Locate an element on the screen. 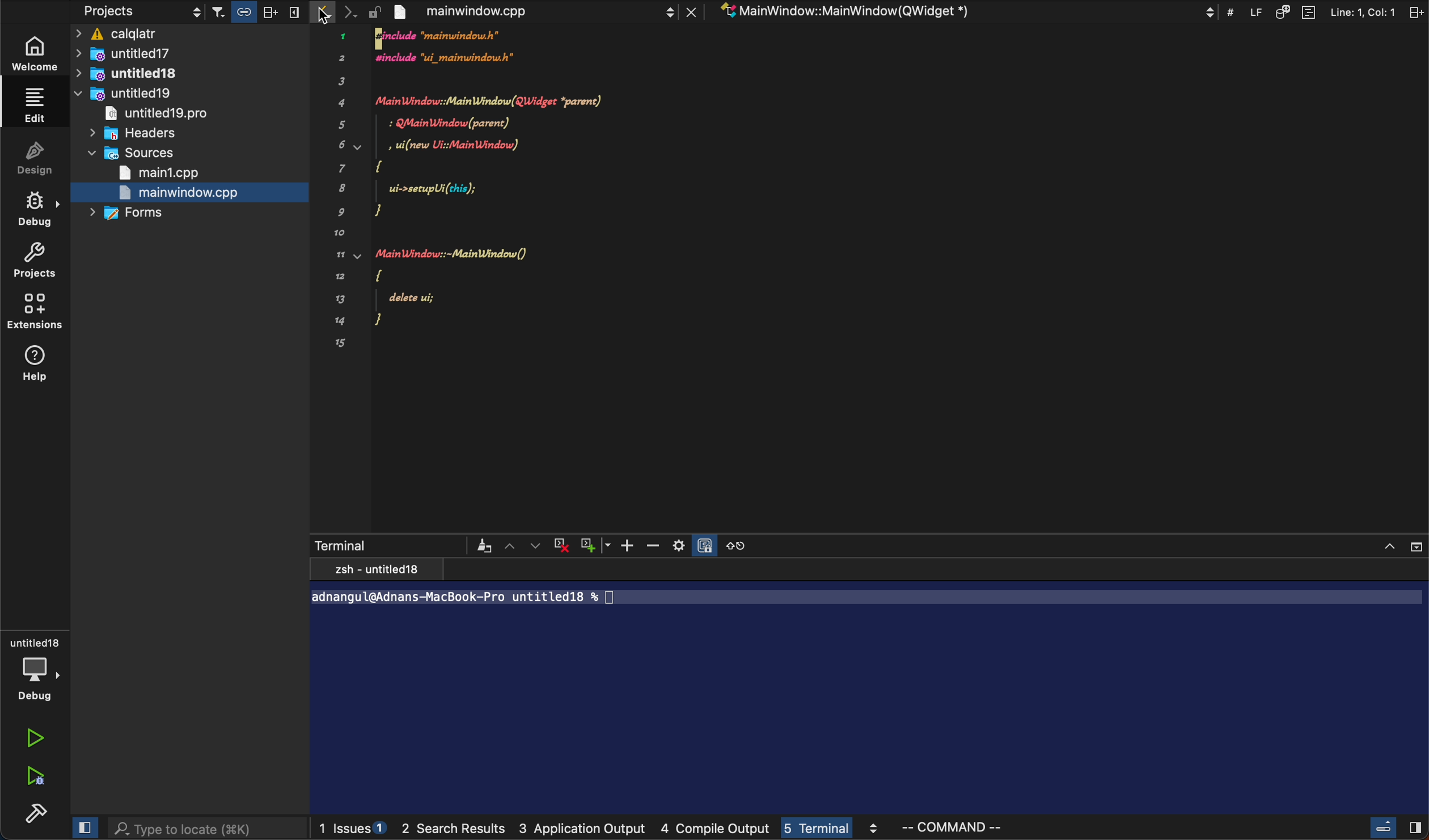 The image size is (1429, 840). debug is located at coordinates (35, 212).